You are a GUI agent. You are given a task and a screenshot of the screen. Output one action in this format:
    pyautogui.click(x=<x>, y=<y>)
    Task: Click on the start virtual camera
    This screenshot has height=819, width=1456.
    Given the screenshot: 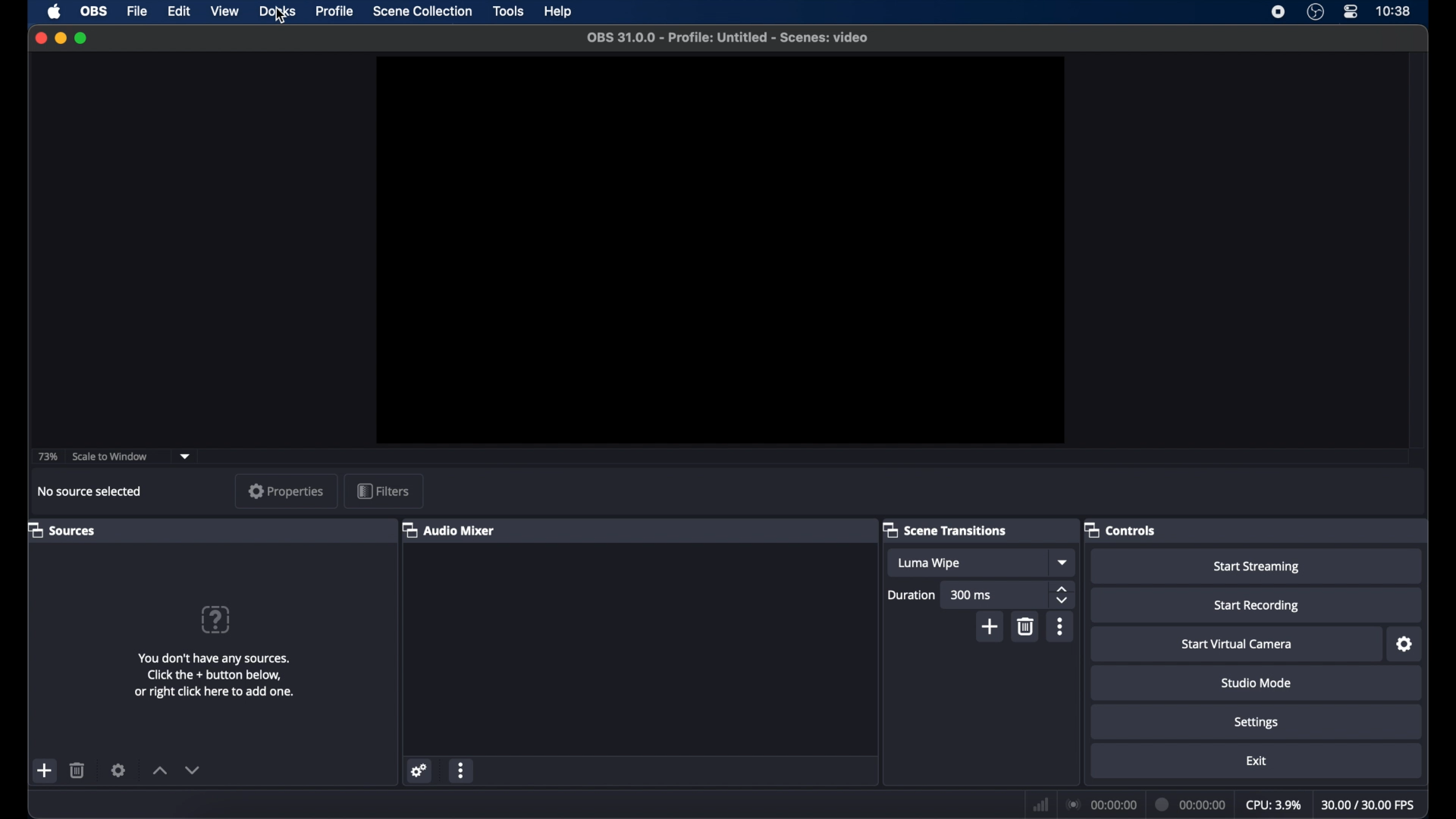 What is the action you would take?
    pyautogui.click(x=1238, y=645)
    